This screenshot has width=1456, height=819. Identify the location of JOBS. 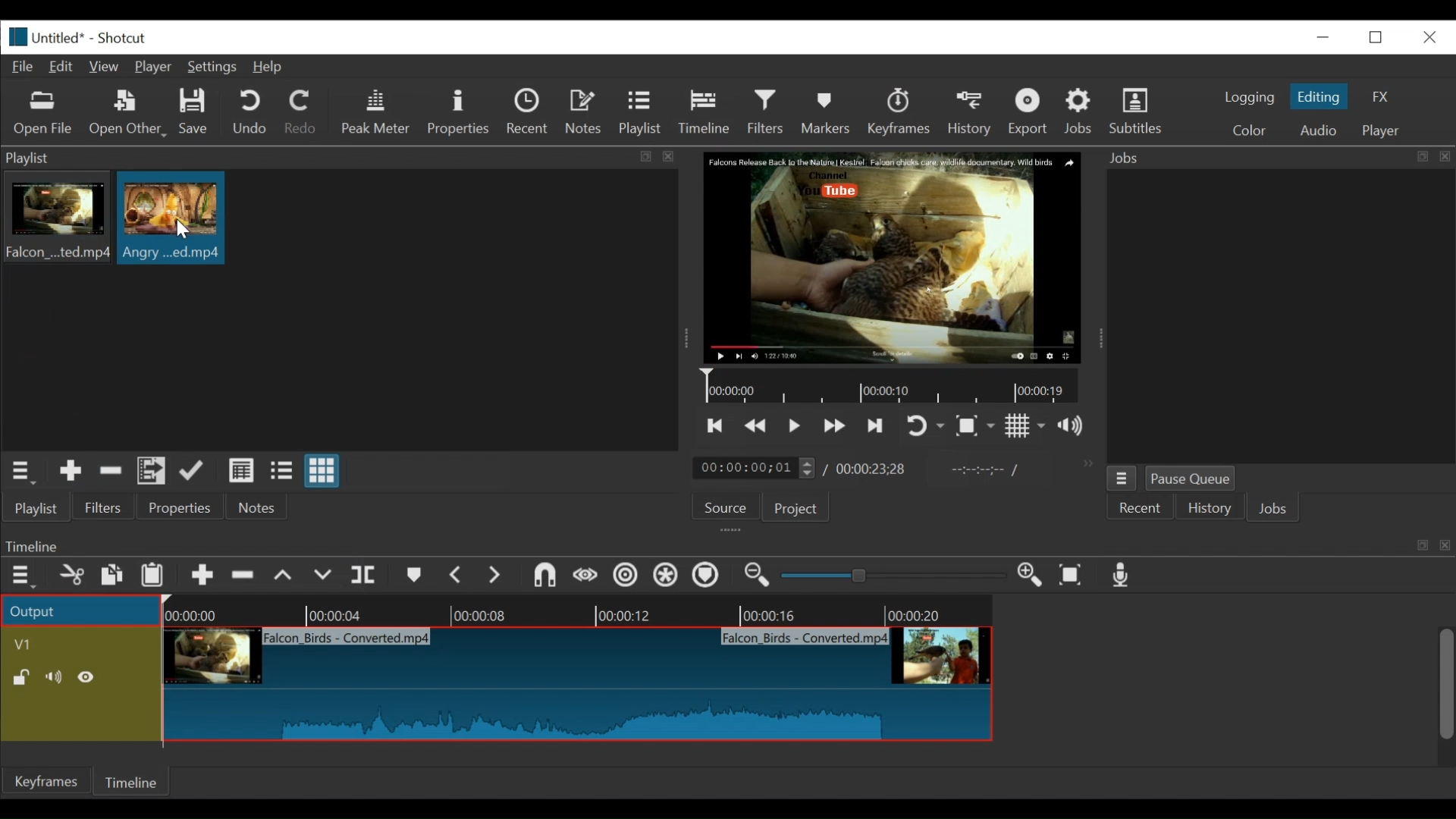
(1275, 510).